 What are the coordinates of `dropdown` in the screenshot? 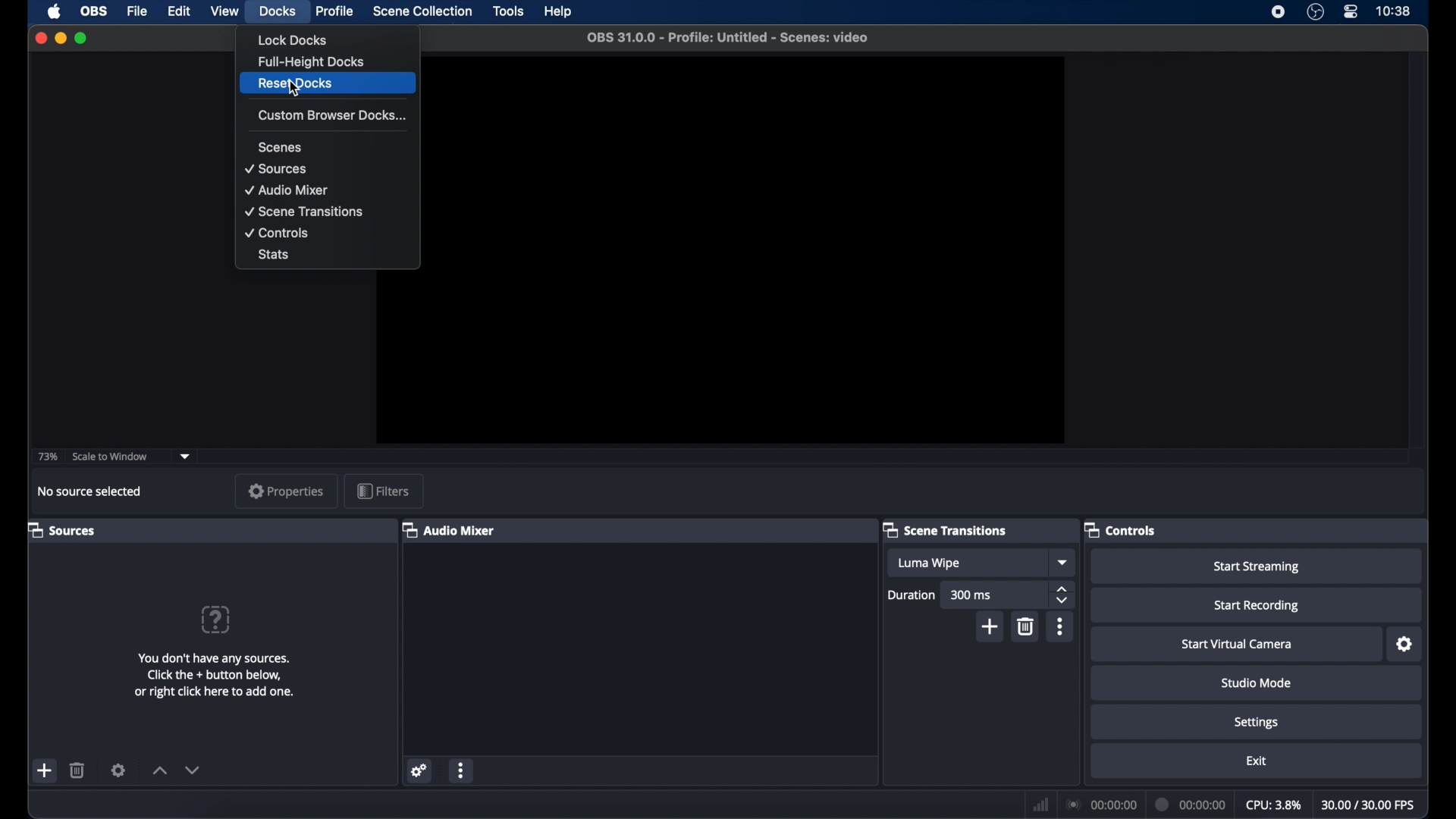 It's located at (1064, 562).